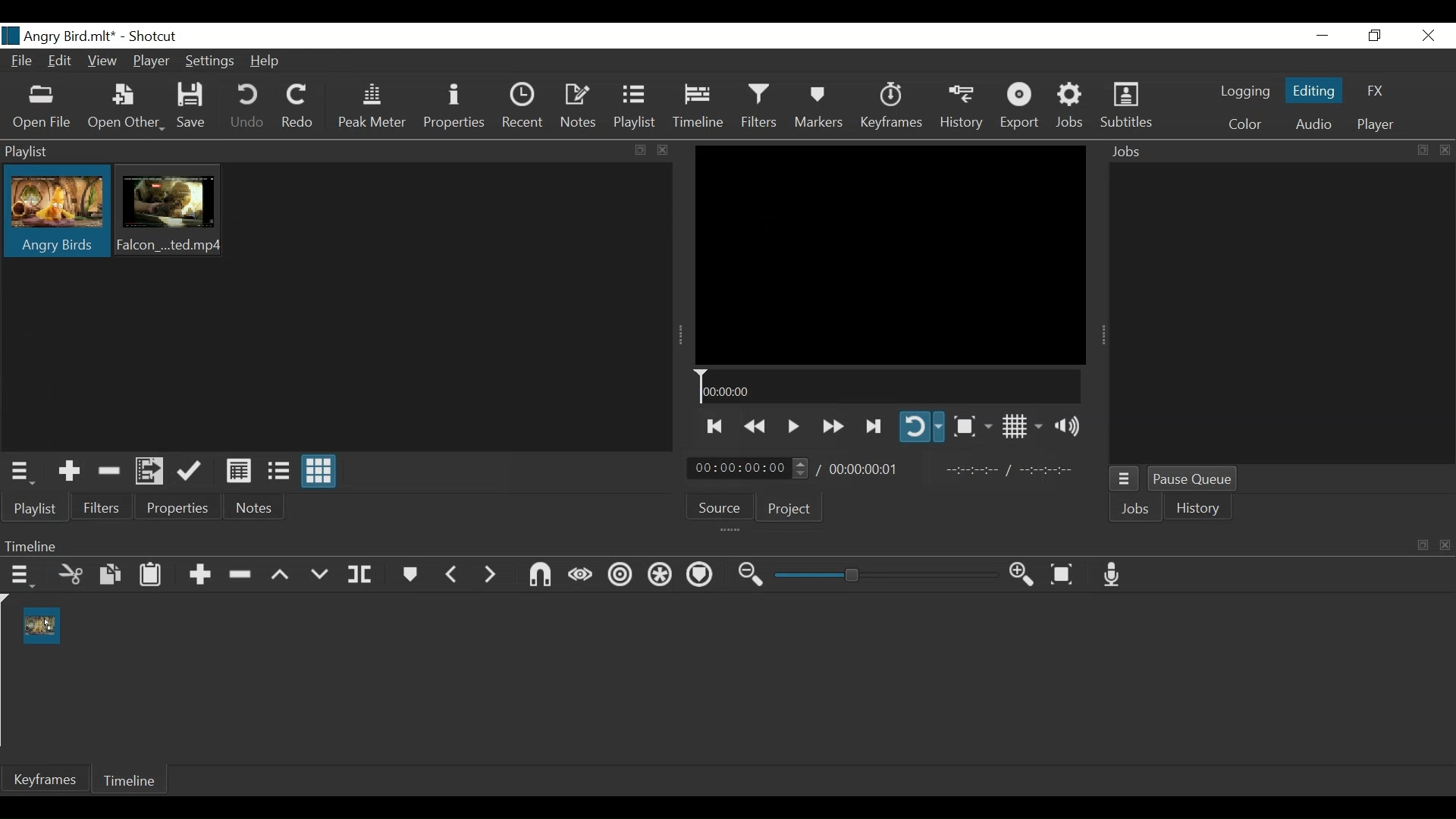 The height and width of the screenshot is (819, 1456). I want to click on Record audio, so click(1112, 576).